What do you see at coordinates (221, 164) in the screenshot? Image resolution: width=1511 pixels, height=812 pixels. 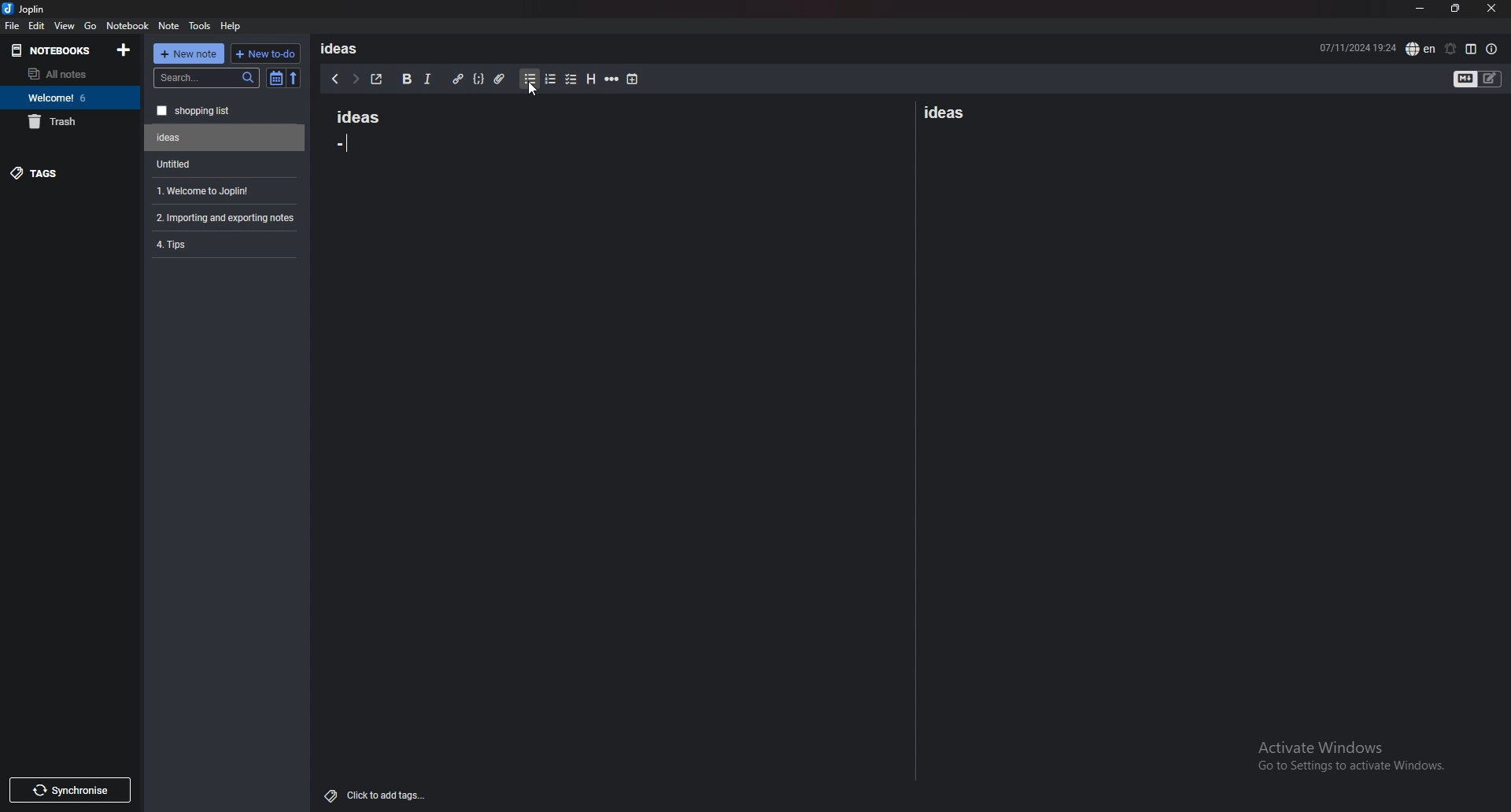 I see `Untitled` at bounding box center [221, 164].